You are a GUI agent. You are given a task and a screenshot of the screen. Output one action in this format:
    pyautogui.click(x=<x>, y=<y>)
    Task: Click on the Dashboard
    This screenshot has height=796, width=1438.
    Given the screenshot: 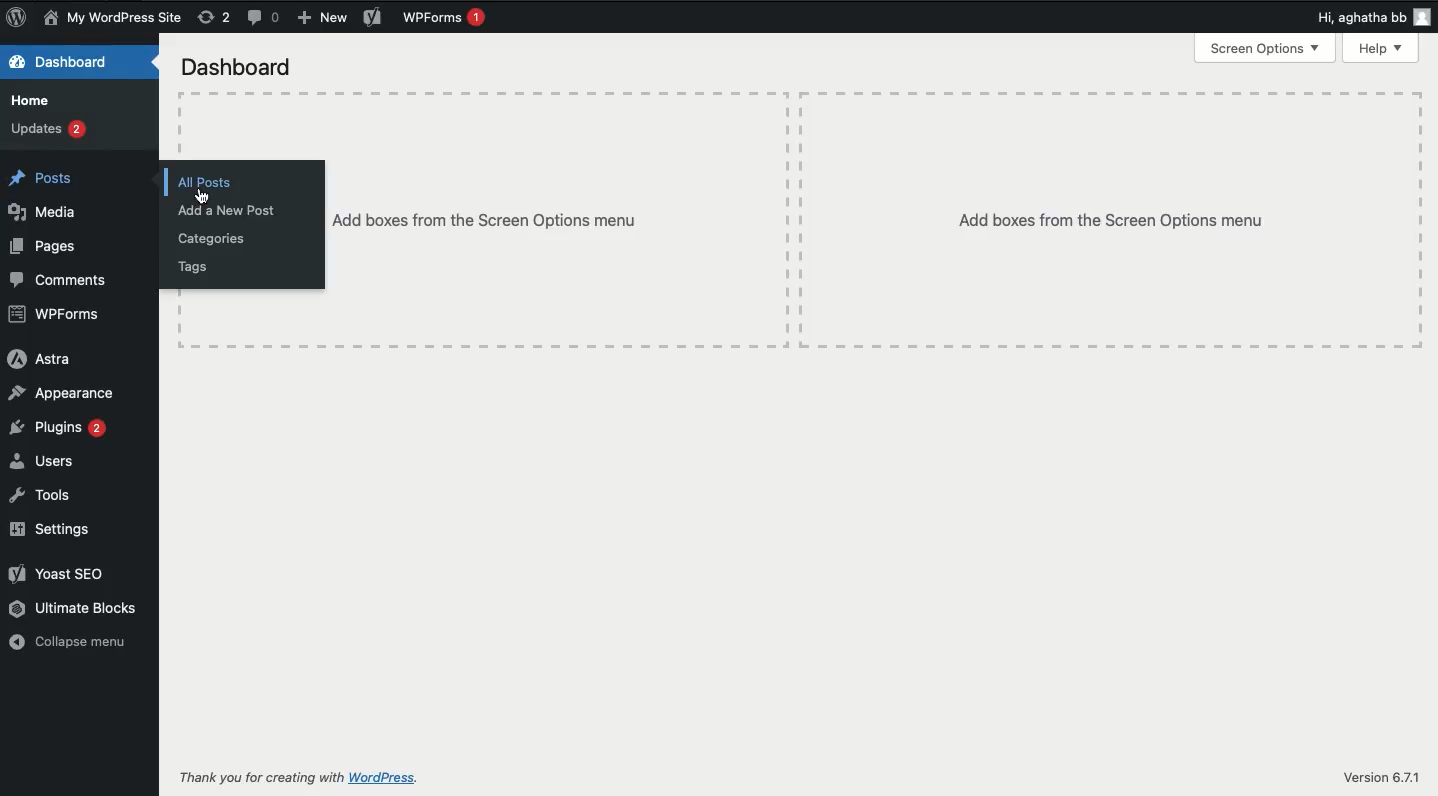 What is the action you would take?
    pyautogui.click(x=241, y=69)
    